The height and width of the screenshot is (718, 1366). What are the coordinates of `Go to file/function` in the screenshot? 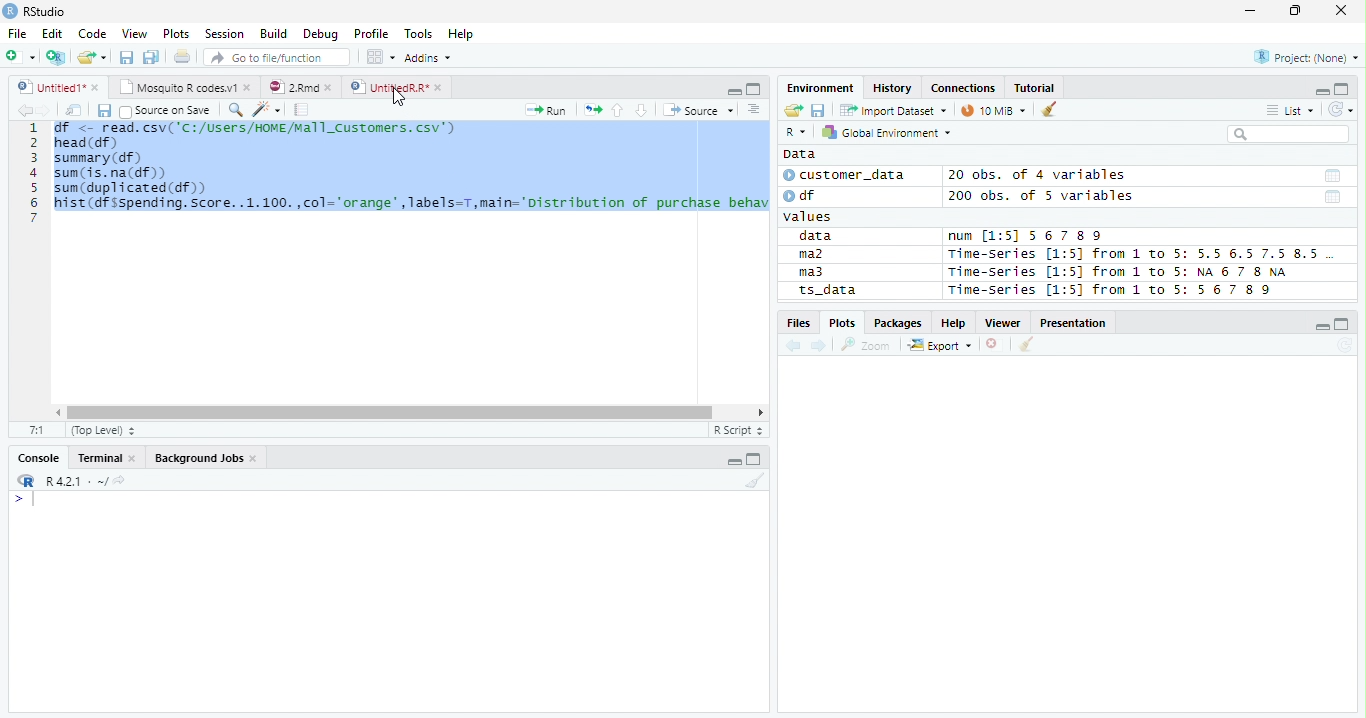 It's located at (274, 58).